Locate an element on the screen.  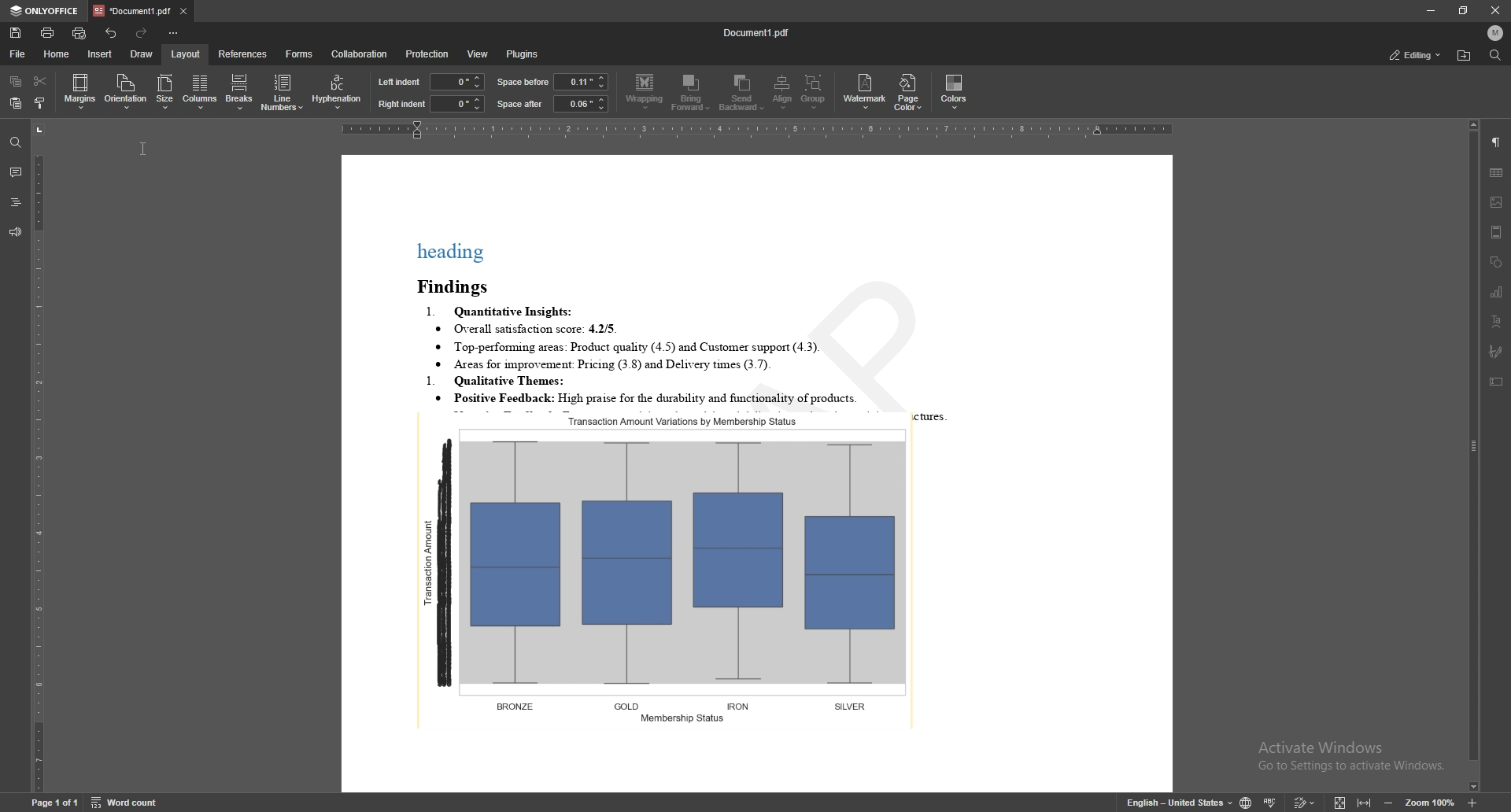
input space before is located at coordinates (580, 81).